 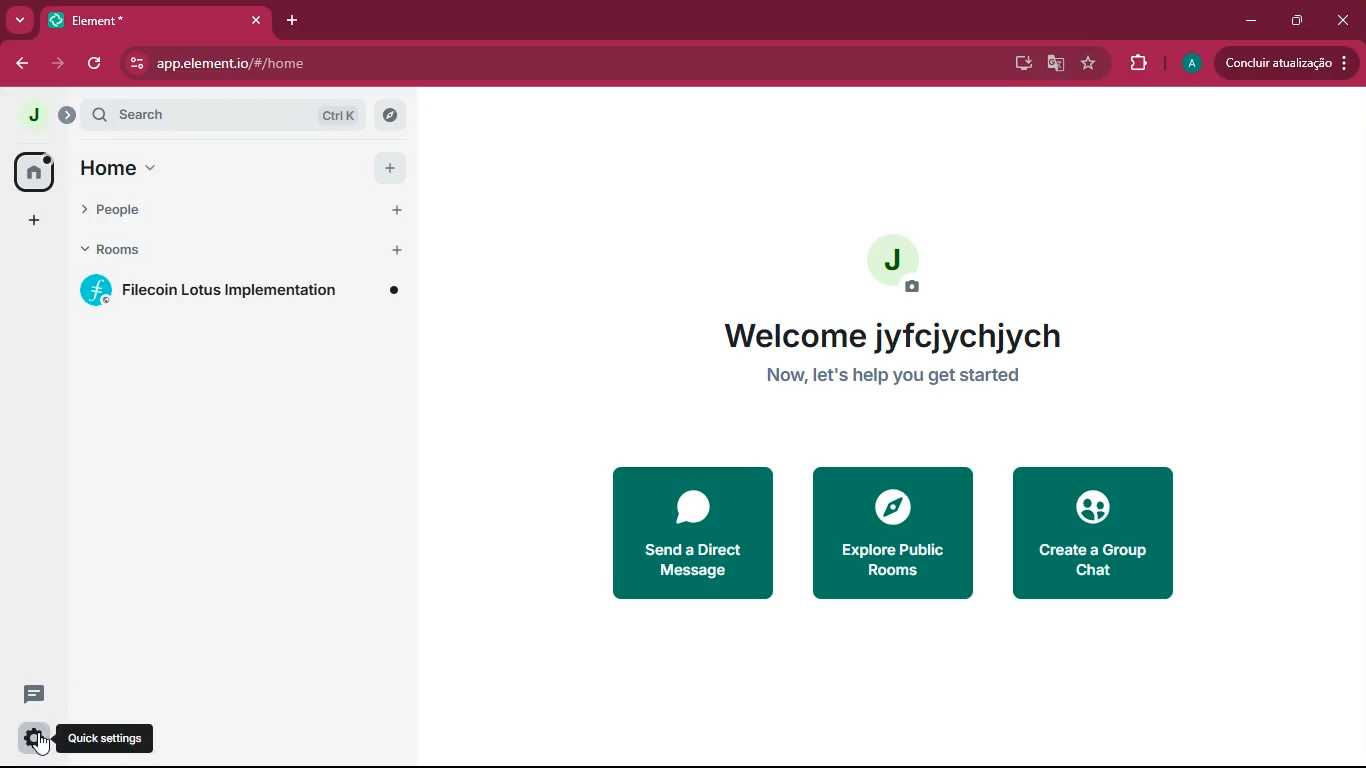 What do you see at coordinates (36, 220) in the screenshot?
I see `more` at bounding box center [36, 220].